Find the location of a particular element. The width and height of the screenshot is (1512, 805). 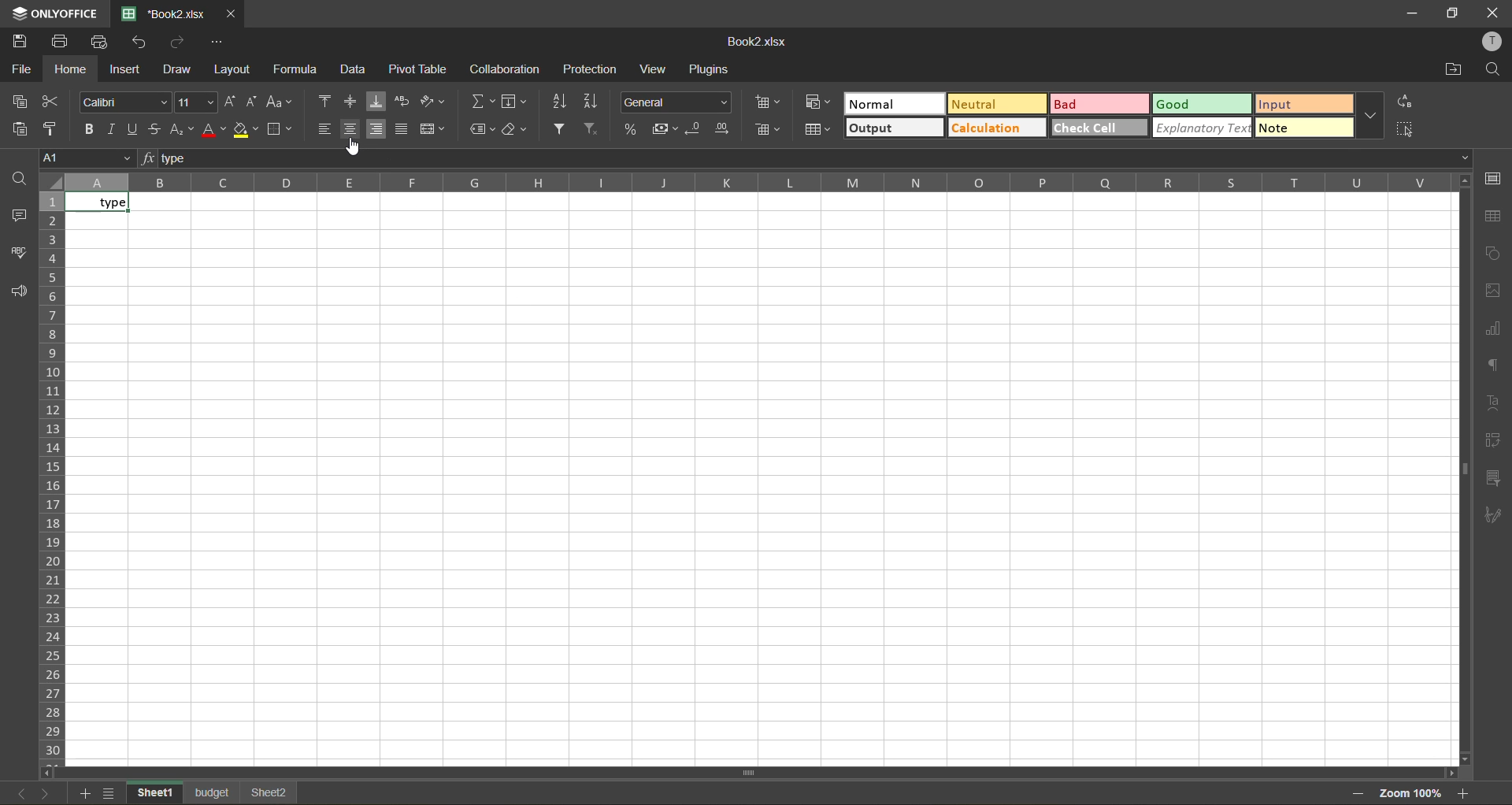

row numbers is located at coordinates (57, 479).